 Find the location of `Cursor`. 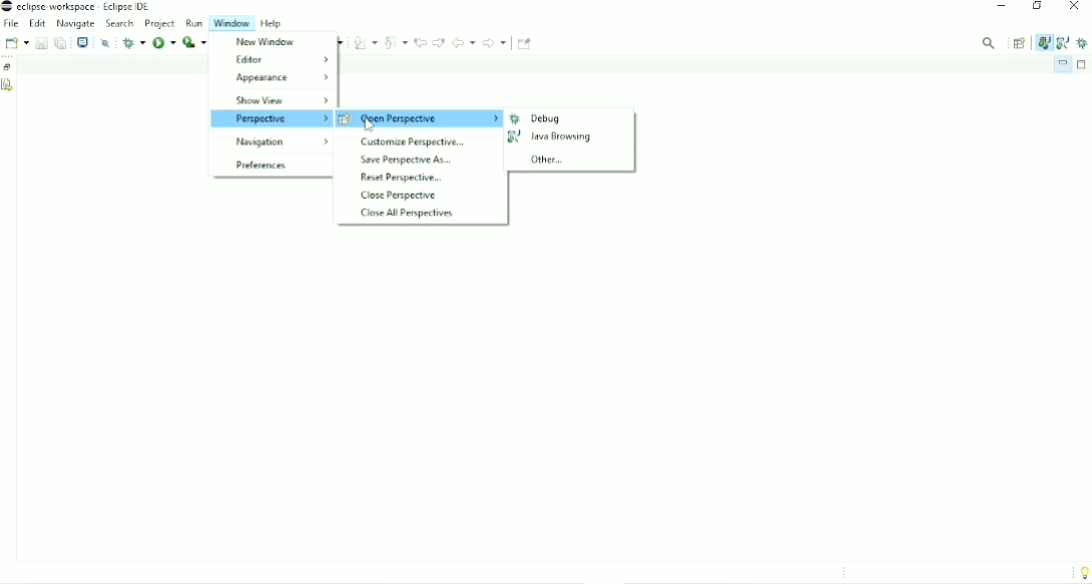

Cursor is located at coordinates (369, 125).